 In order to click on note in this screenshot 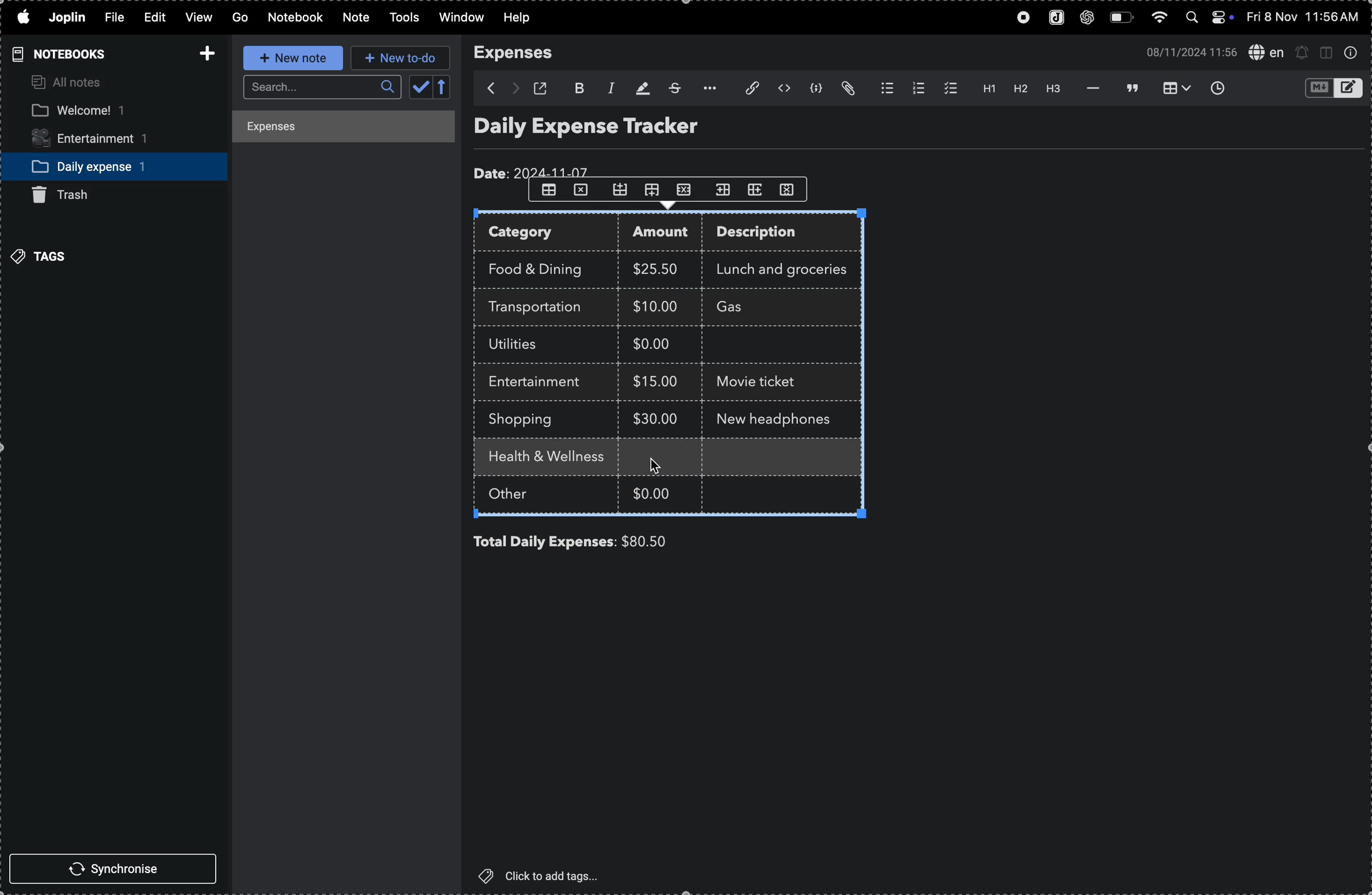, I will do `click(353, 18)`.